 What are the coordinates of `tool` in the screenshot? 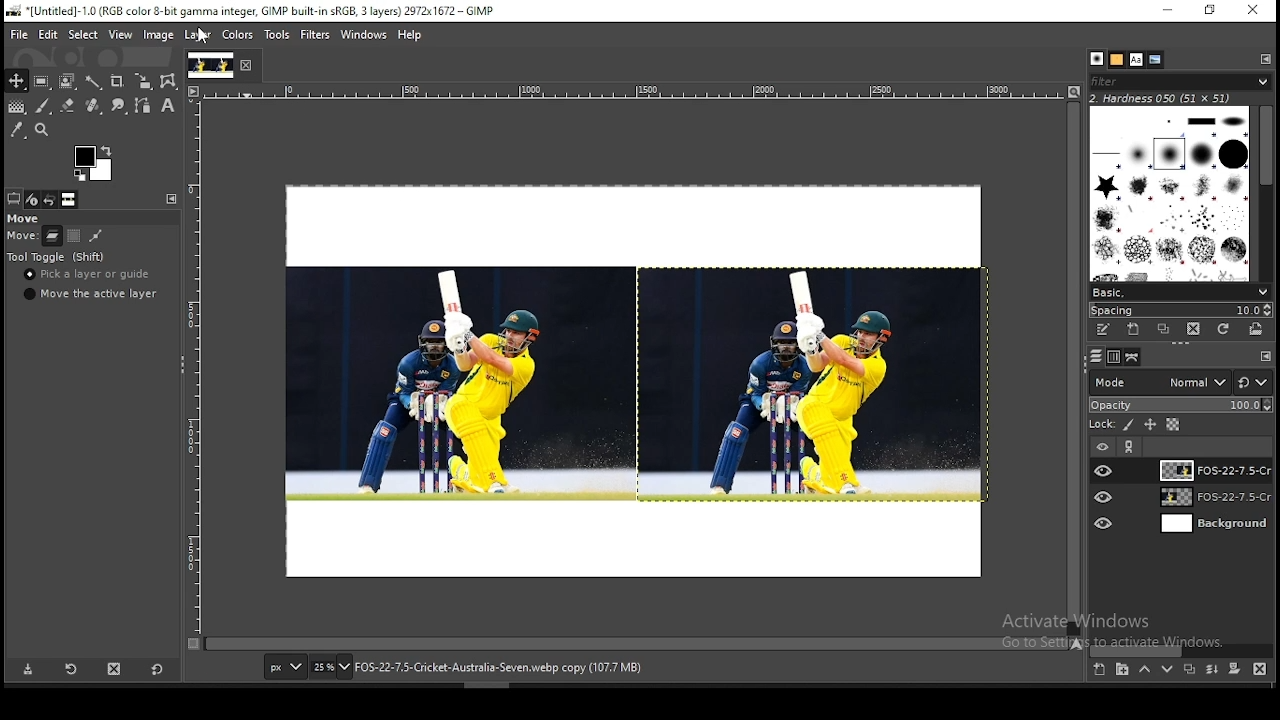 It's located at (1265, 58).